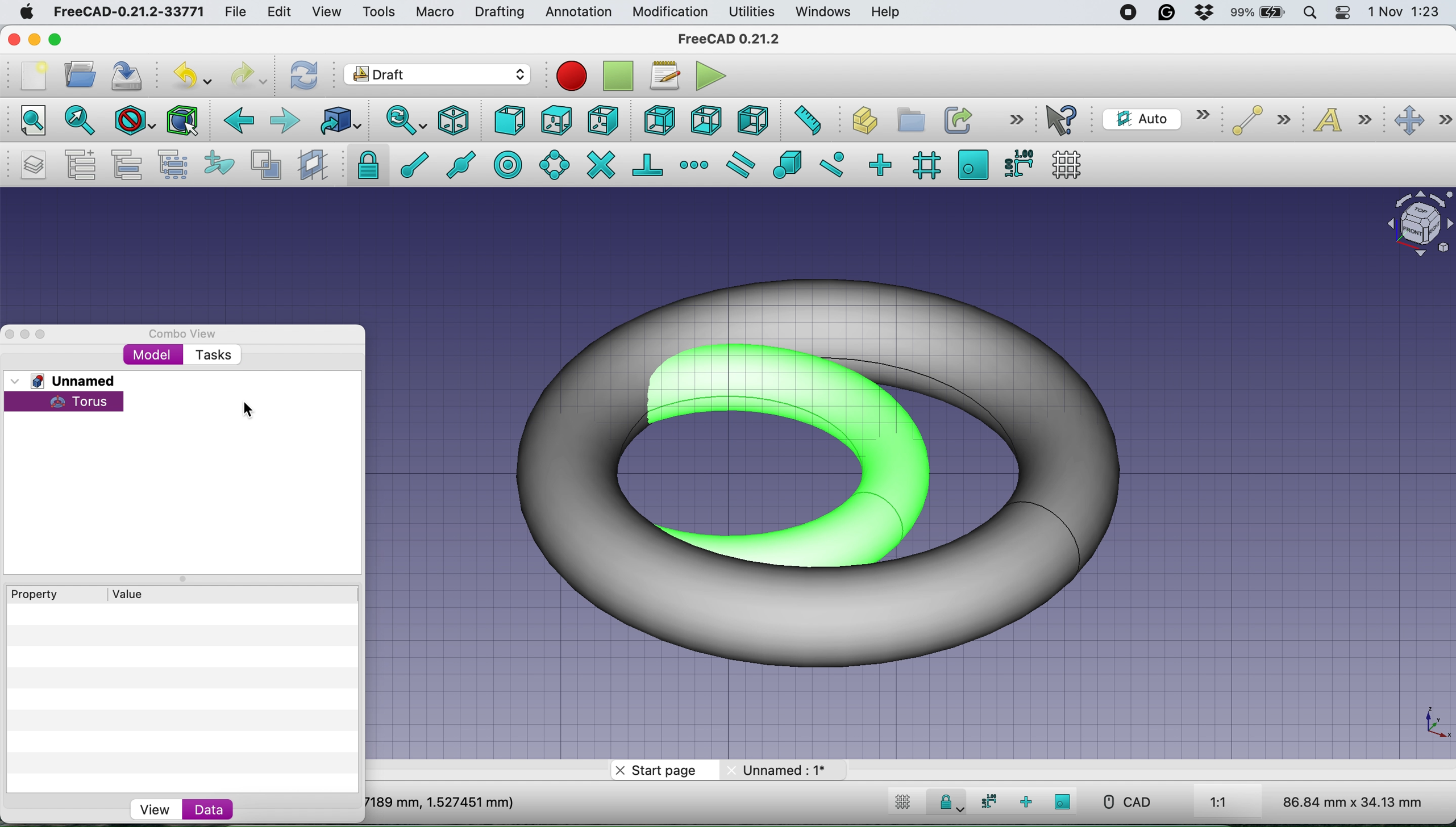 This screenshot has width=1456, height=827. I want to click on go to linked object, so click(339, 120).